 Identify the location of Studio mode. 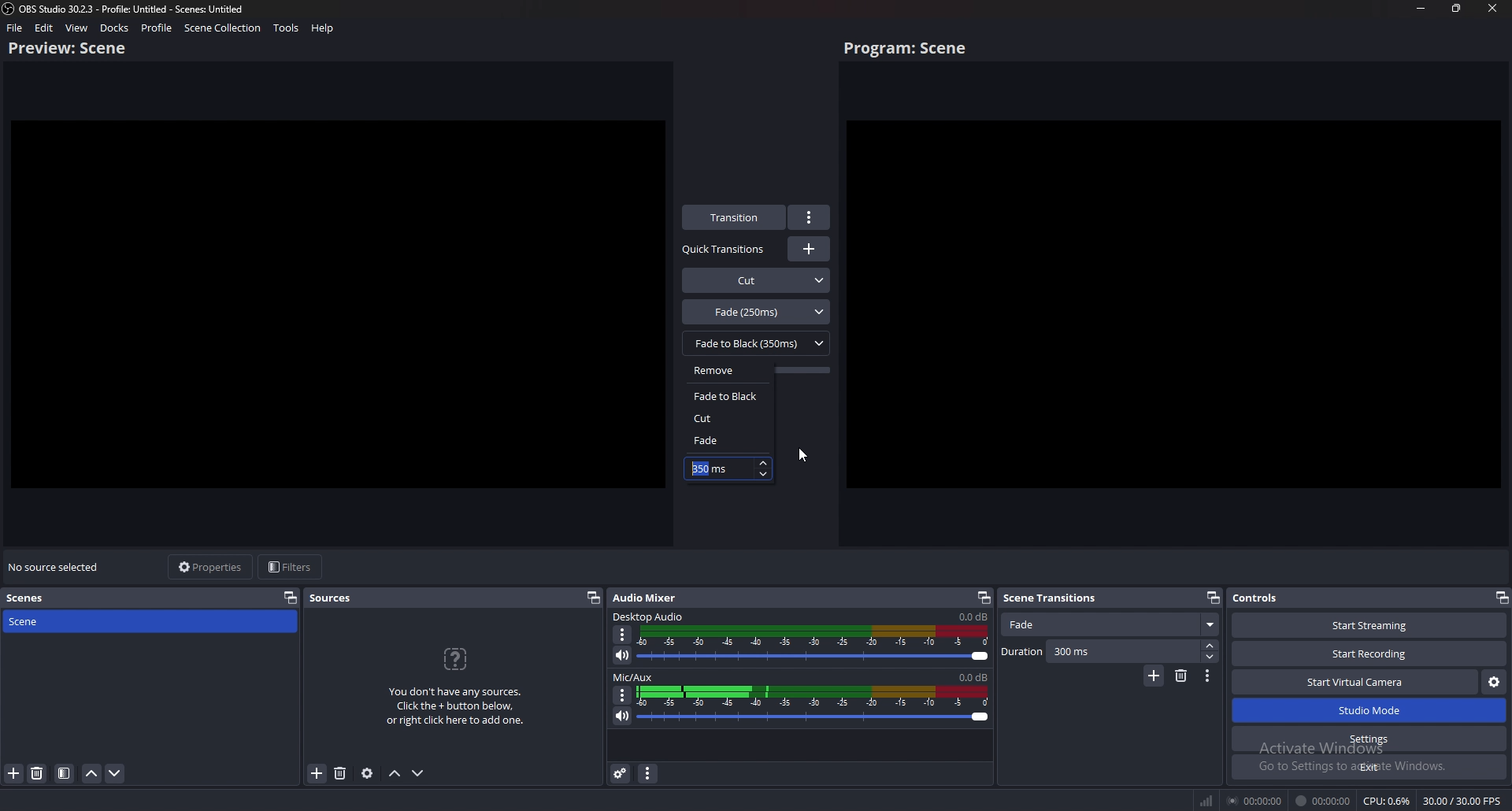
(1369, 711).